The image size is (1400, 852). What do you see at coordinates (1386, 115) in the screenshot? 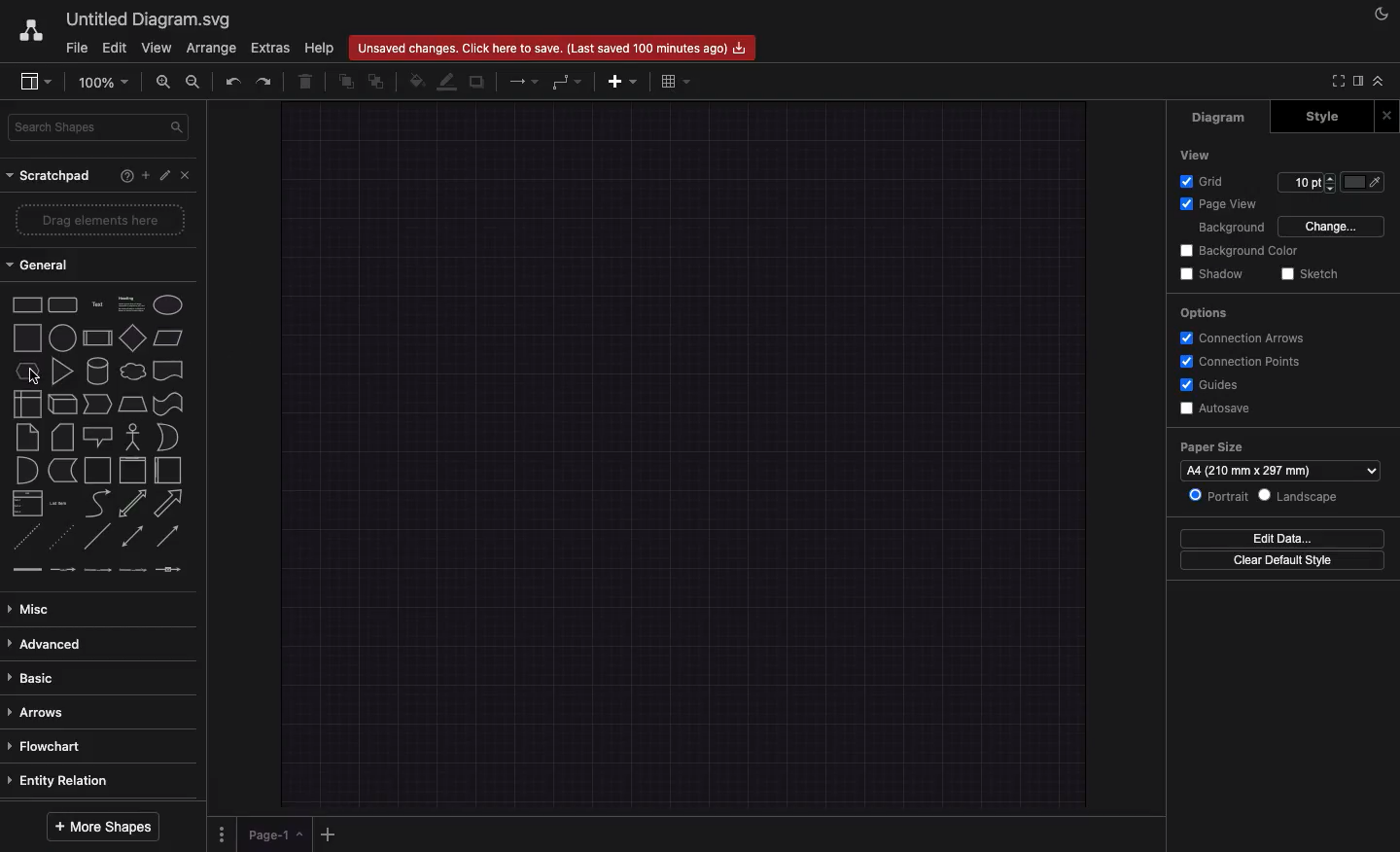
I see `Close` at bounding box center [1386, 115].